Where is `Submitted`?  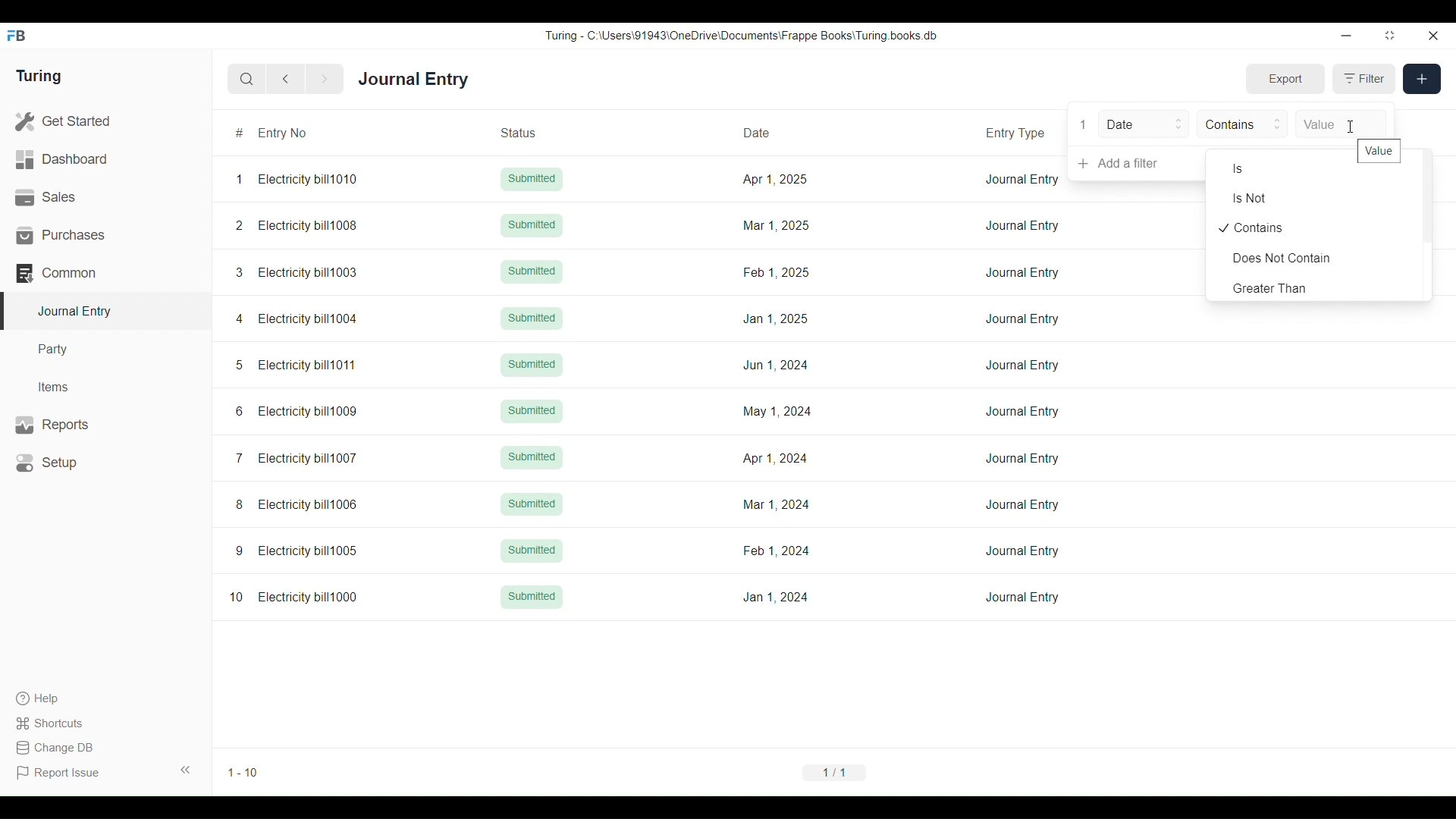
Submitted is located at coordinates (532, 457).